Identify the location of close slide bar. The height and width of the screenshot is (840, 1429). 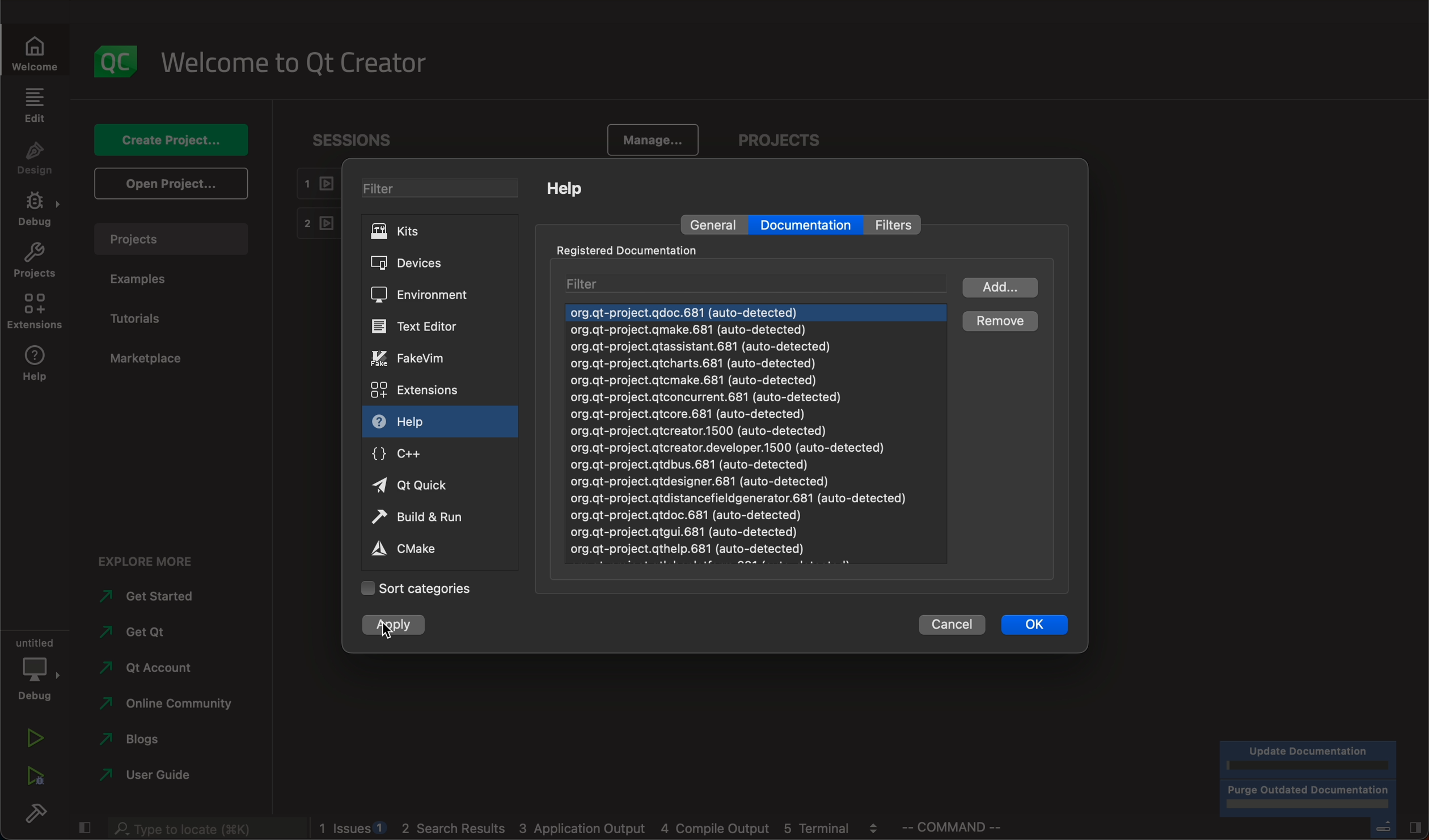
(1390, 828).